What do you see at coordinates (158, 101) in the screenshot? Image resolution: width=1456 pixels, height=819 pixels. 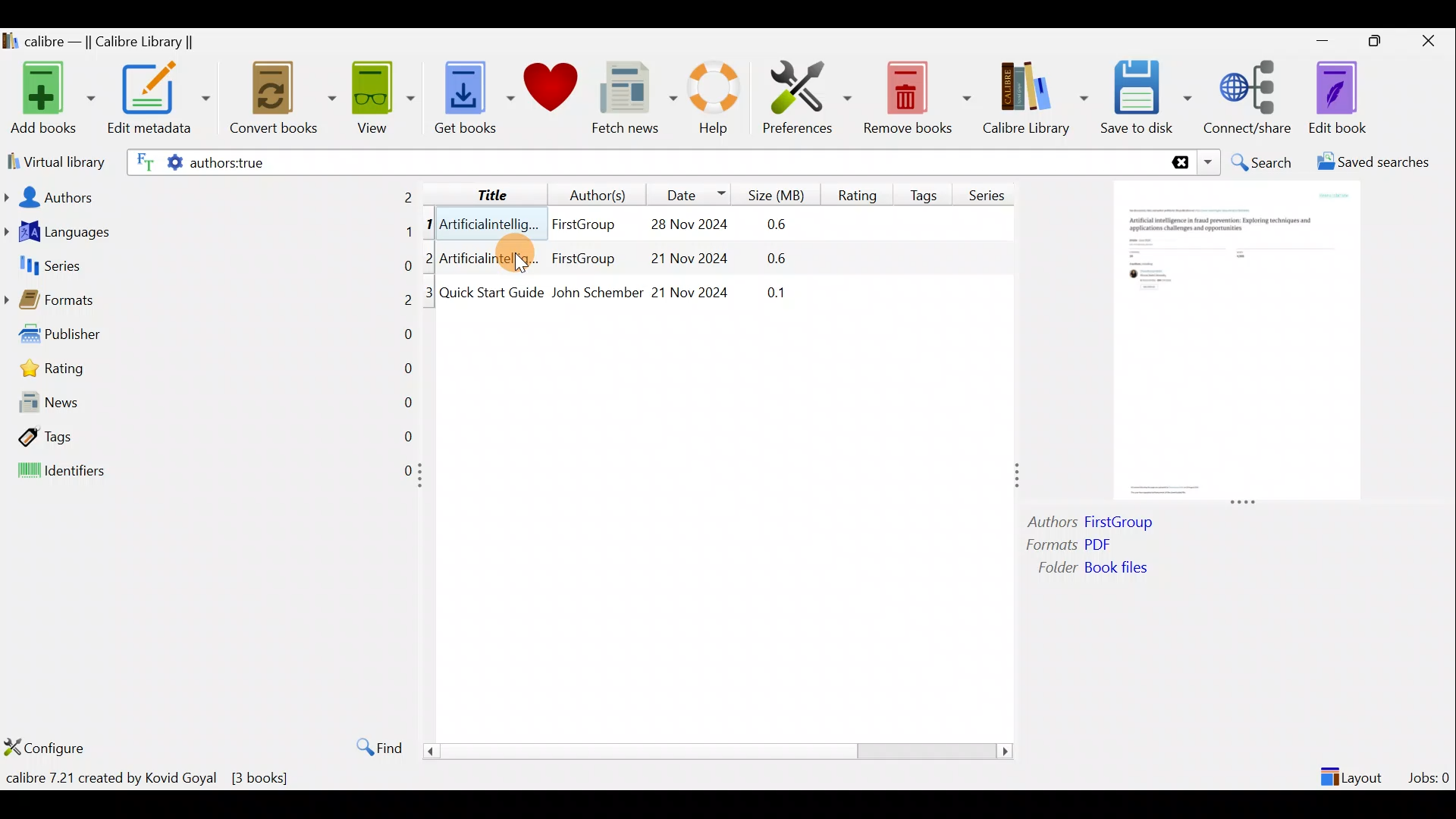 I see `Edit metadata` at bounding box center [158, 101].